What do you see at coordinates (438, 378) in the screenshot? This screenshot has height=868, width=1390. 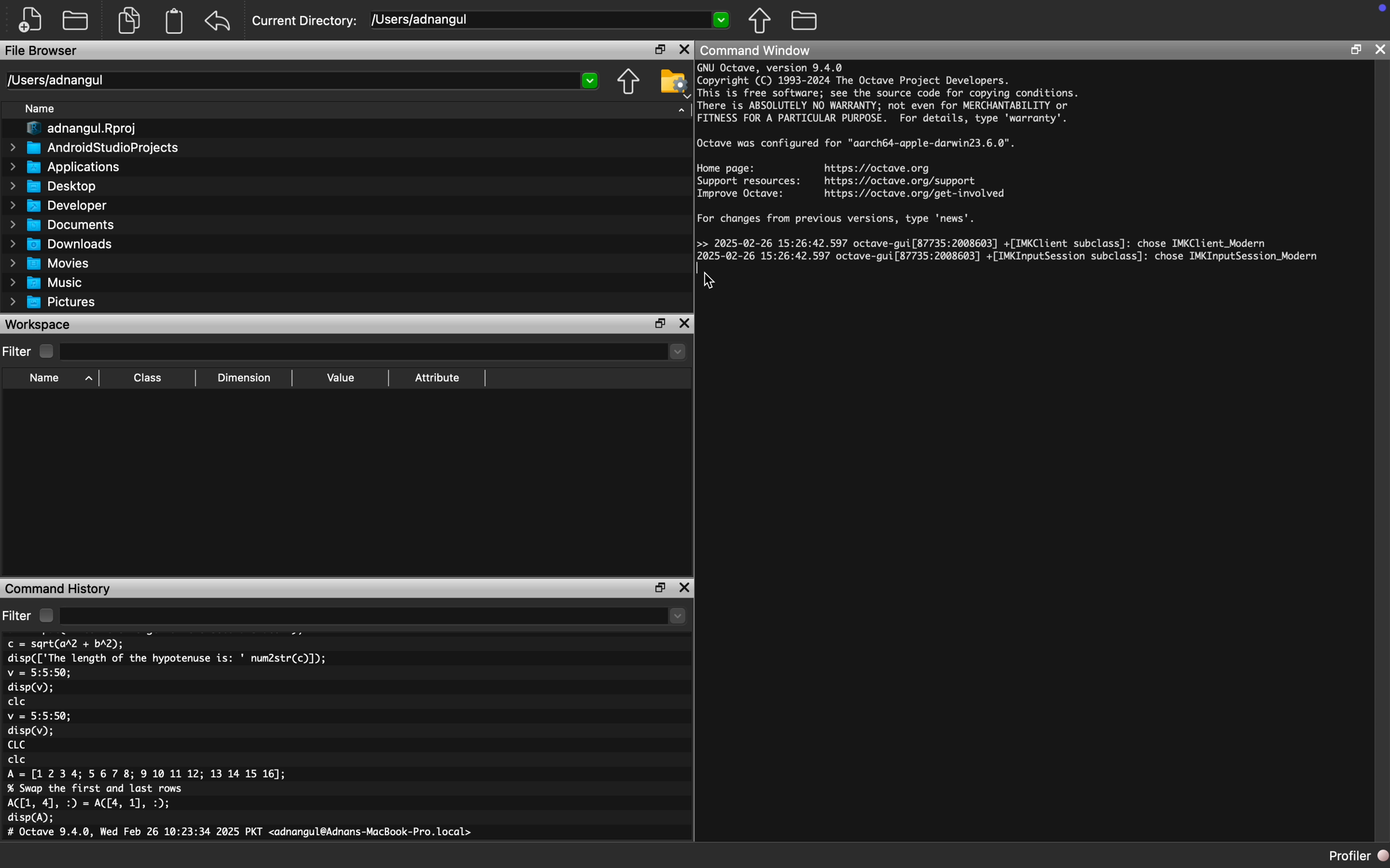 I see `Attribute` at bounding box center [438, 378].